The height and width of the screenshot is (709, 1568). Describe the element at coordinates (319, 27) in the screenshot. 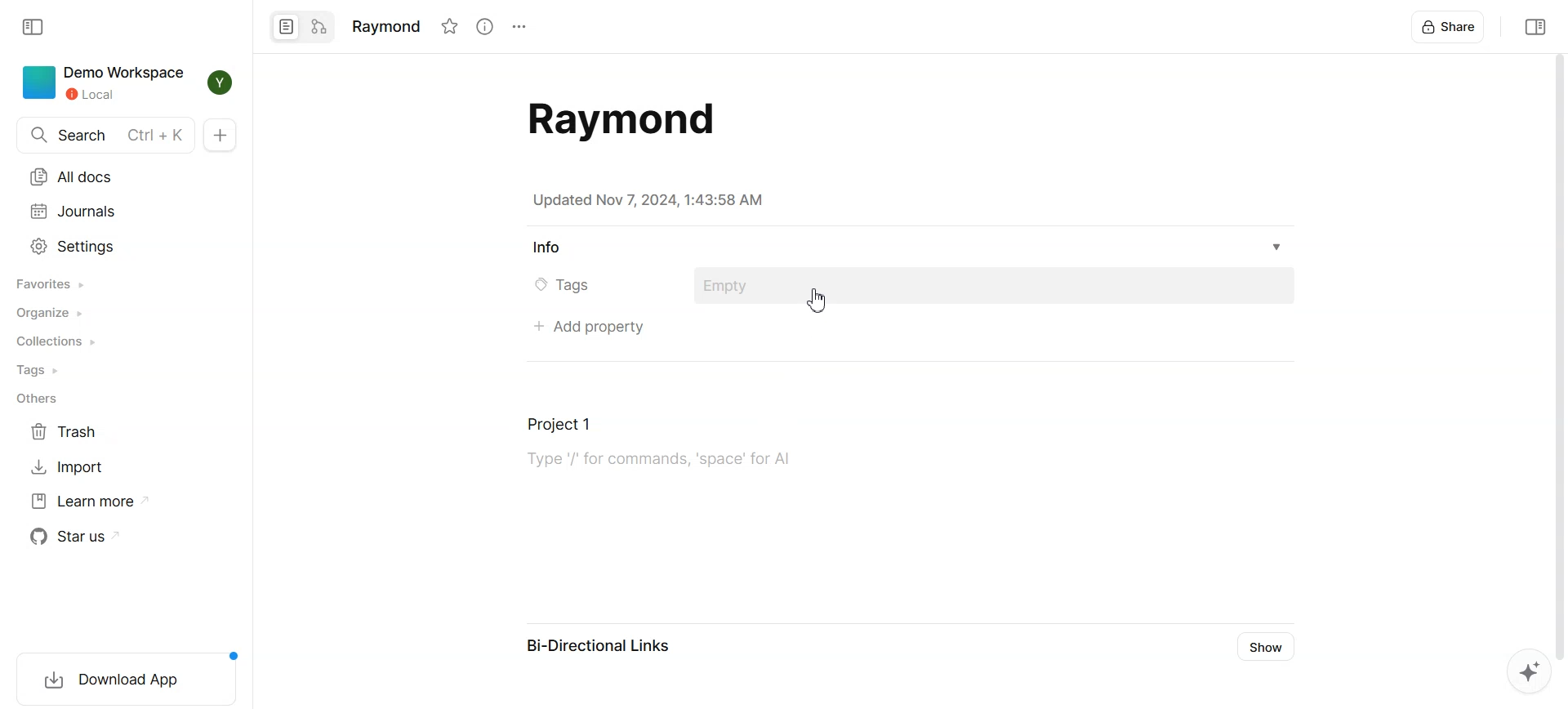

I see `Edgeless` at that location.